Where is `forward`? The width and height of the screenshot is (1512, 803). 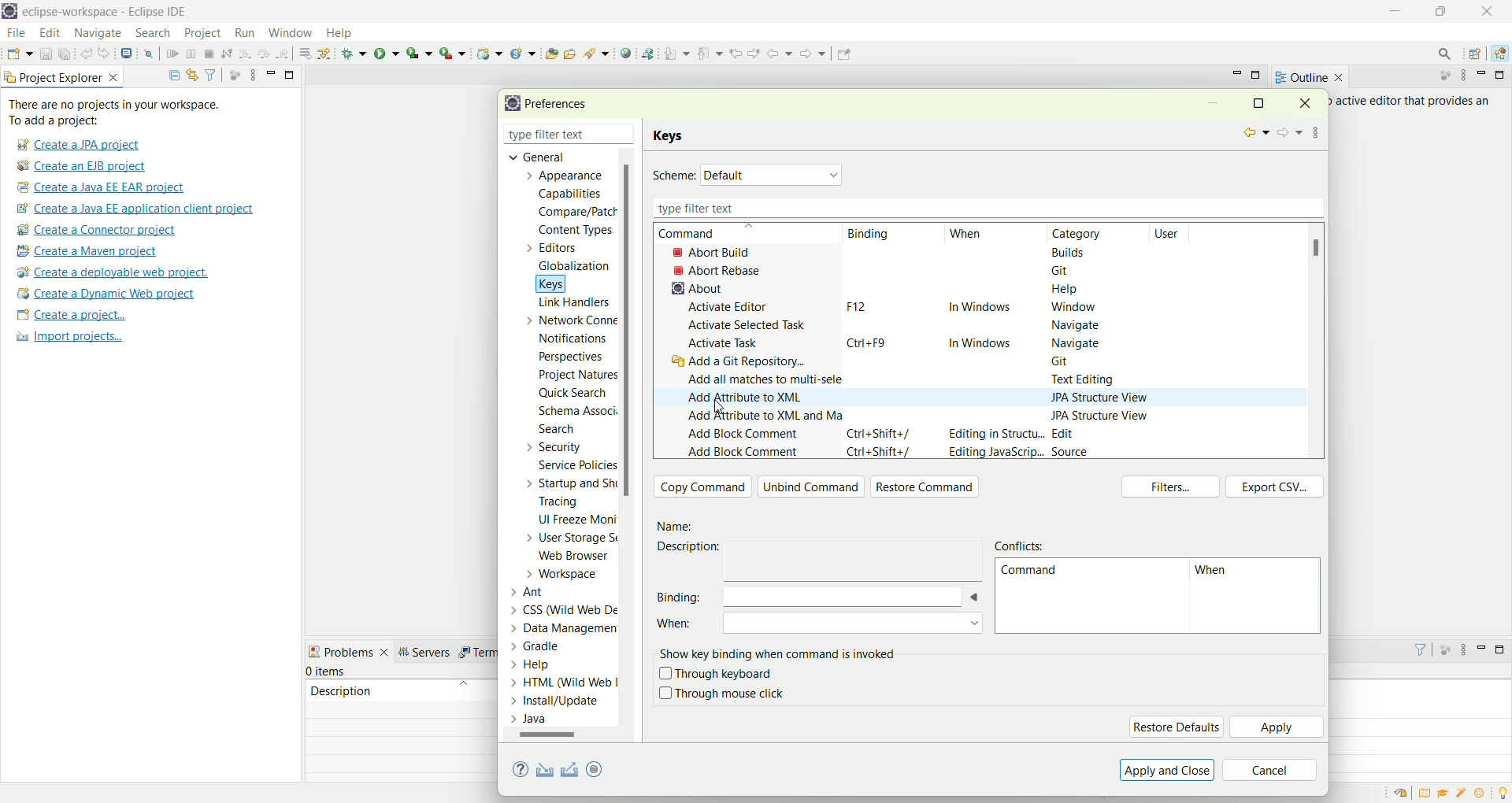 forward is located at coordinates (811, 57).